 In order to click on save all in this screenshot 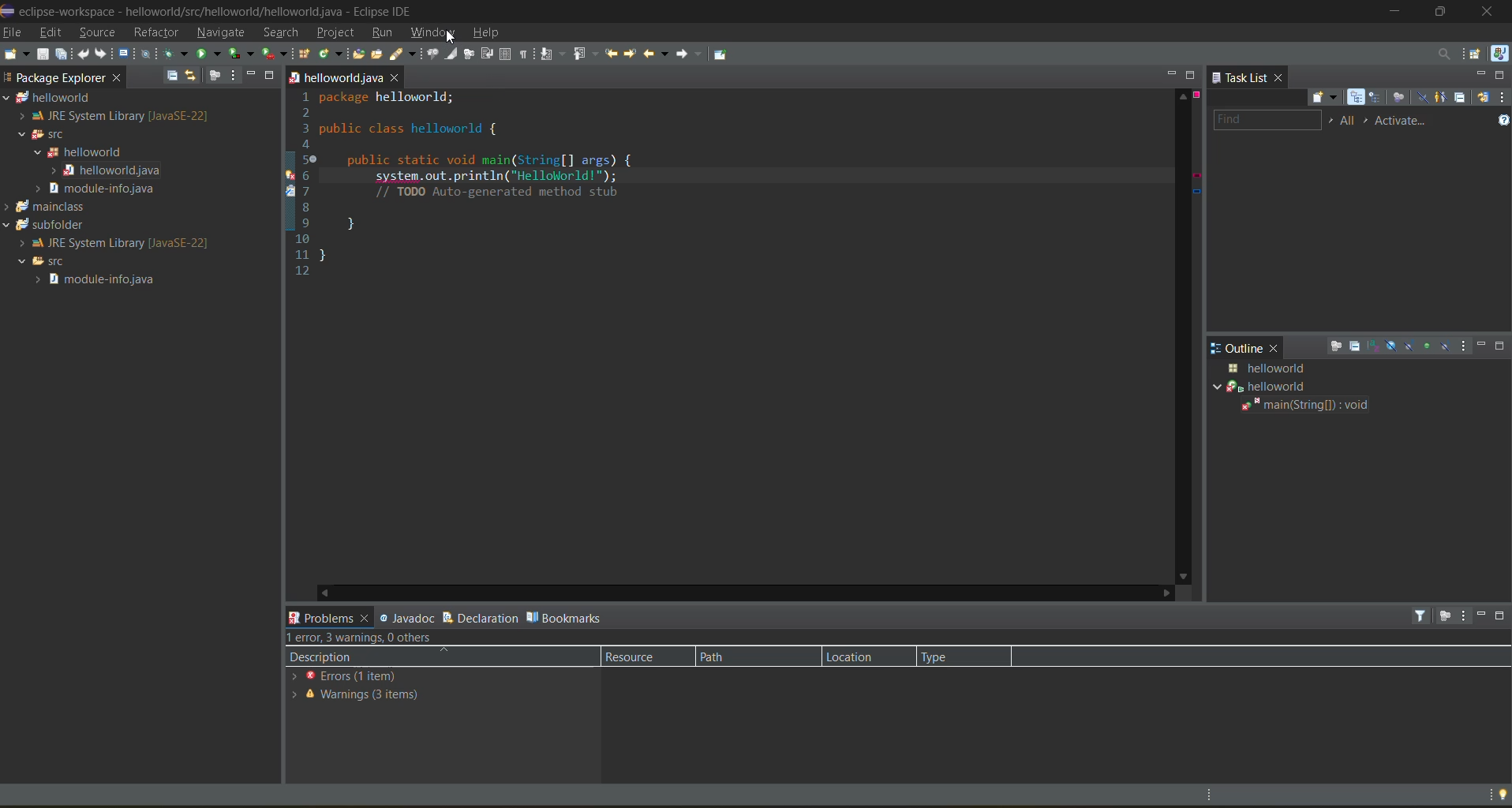, I will do `click(60, 55)`.